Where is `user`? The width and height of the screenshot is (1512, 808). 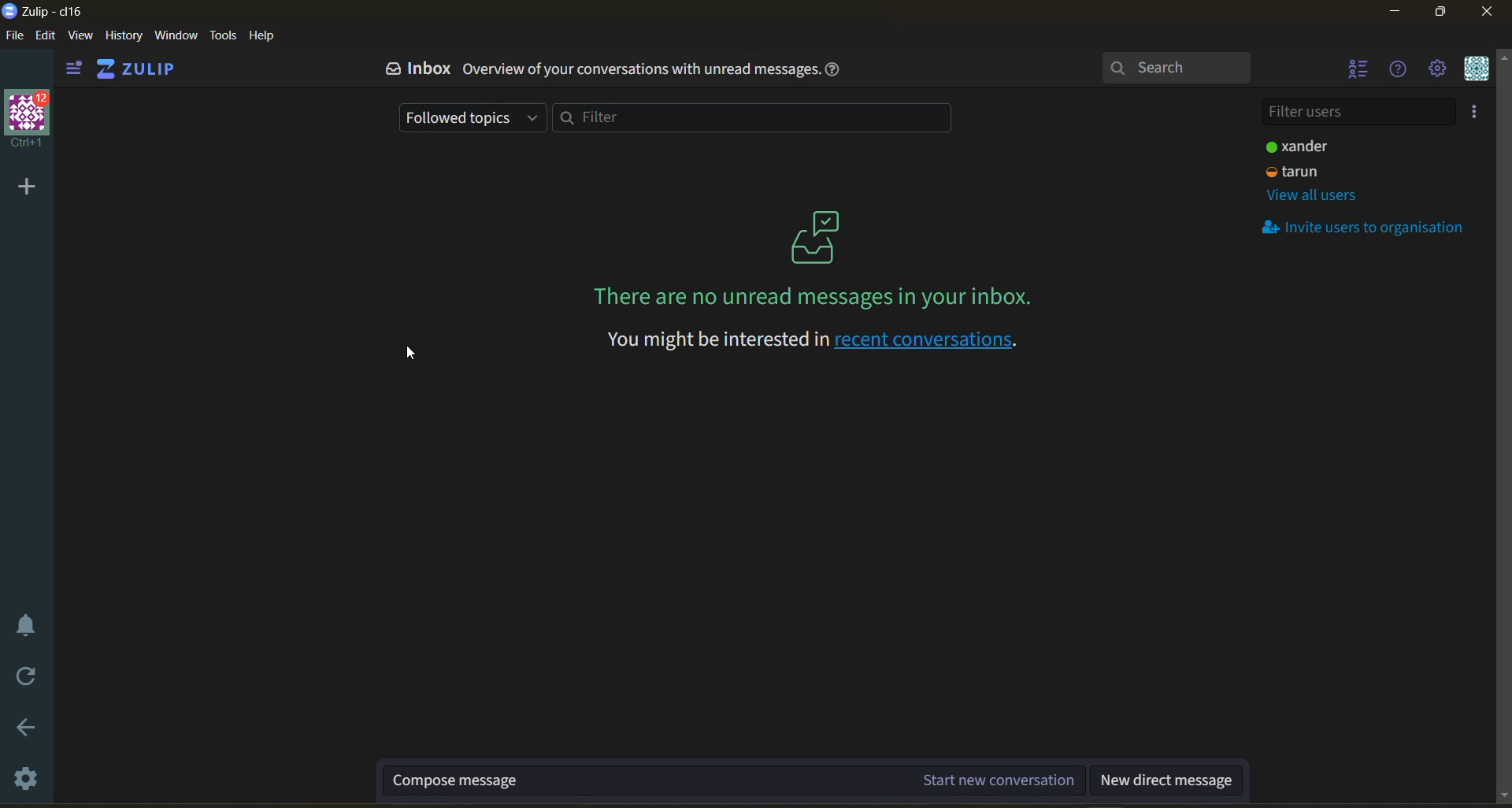 user is located at coordinates (1308, 149).